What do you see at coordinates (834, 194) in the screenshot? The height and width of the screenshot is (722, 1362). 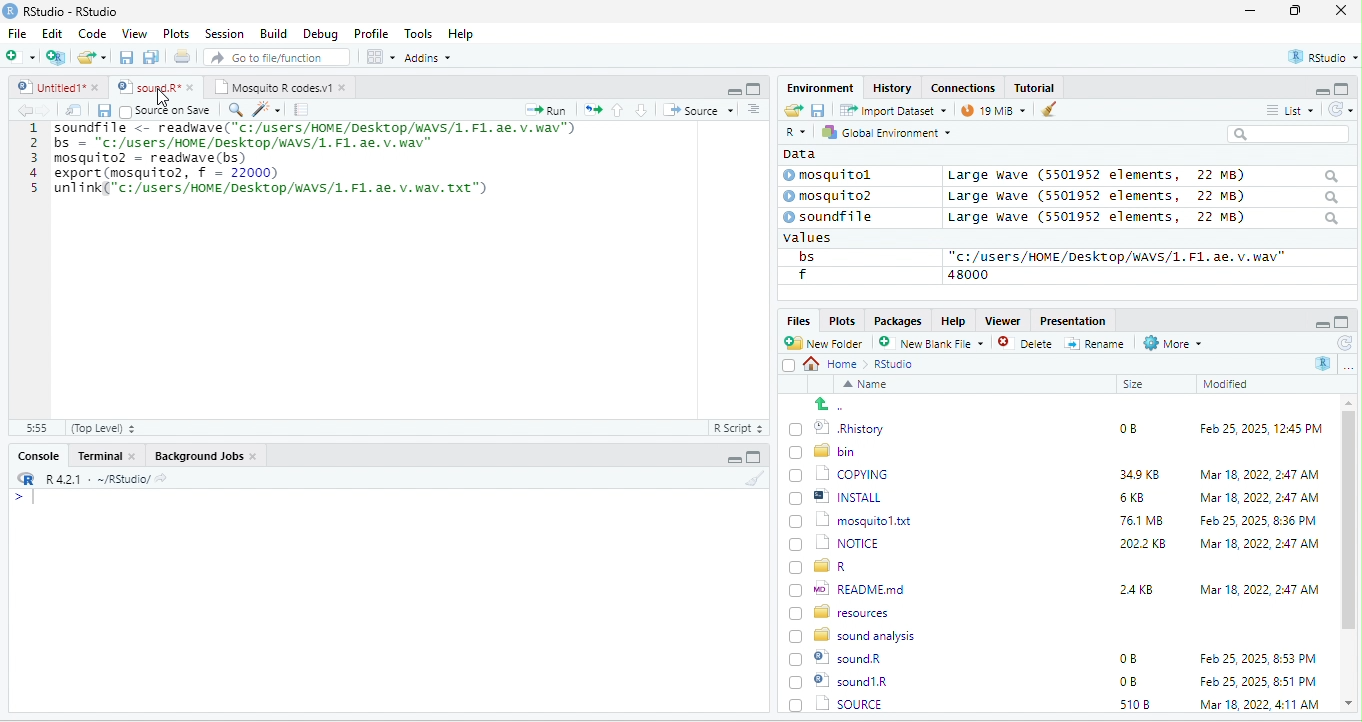 I see `© mosquito?` at bounding box center [834, 194].